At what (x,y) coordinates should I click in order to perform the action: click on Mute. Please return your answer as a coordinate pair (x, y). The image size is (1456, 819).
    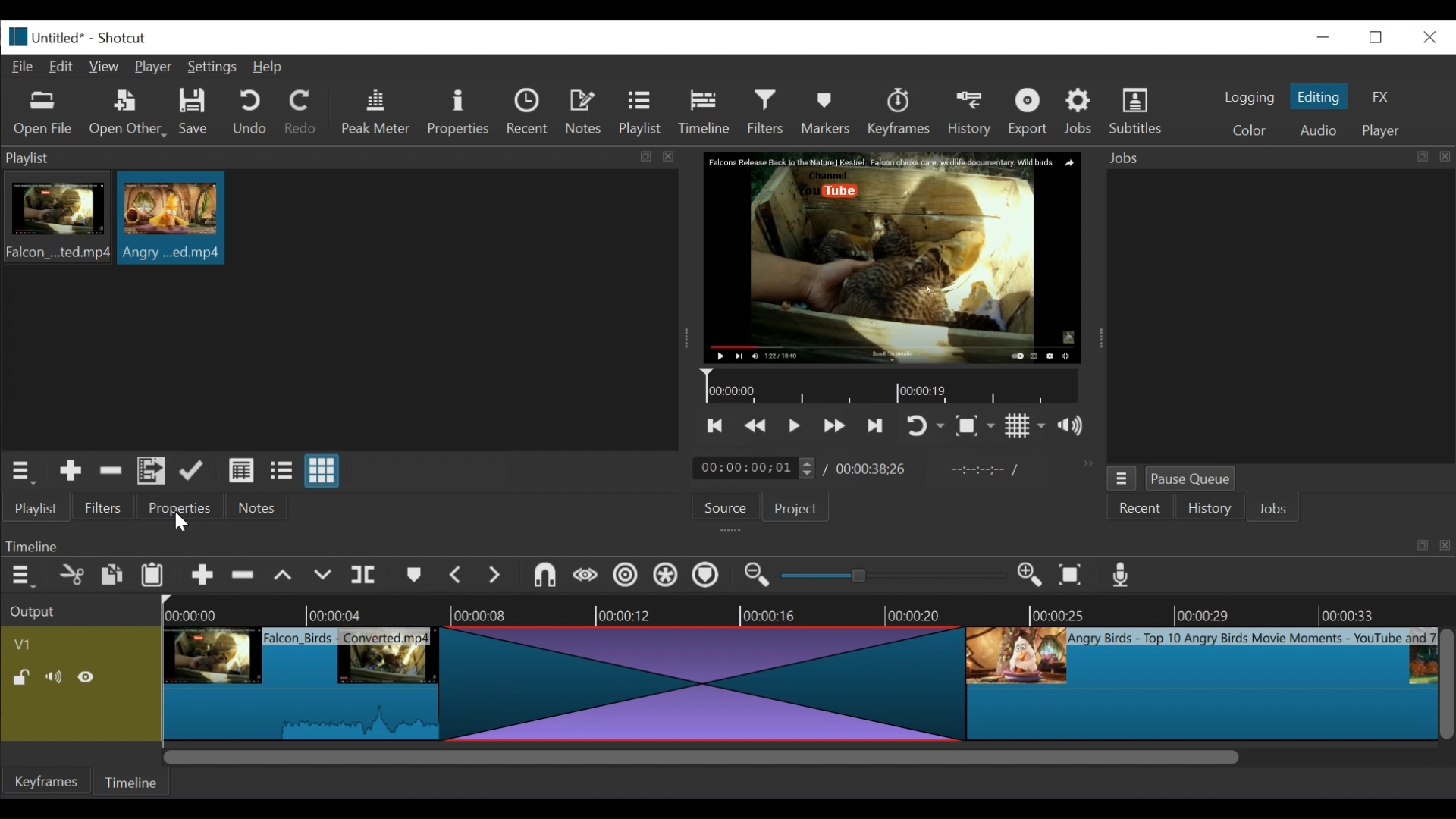
    Looking at the image, I should click on (57, 677).